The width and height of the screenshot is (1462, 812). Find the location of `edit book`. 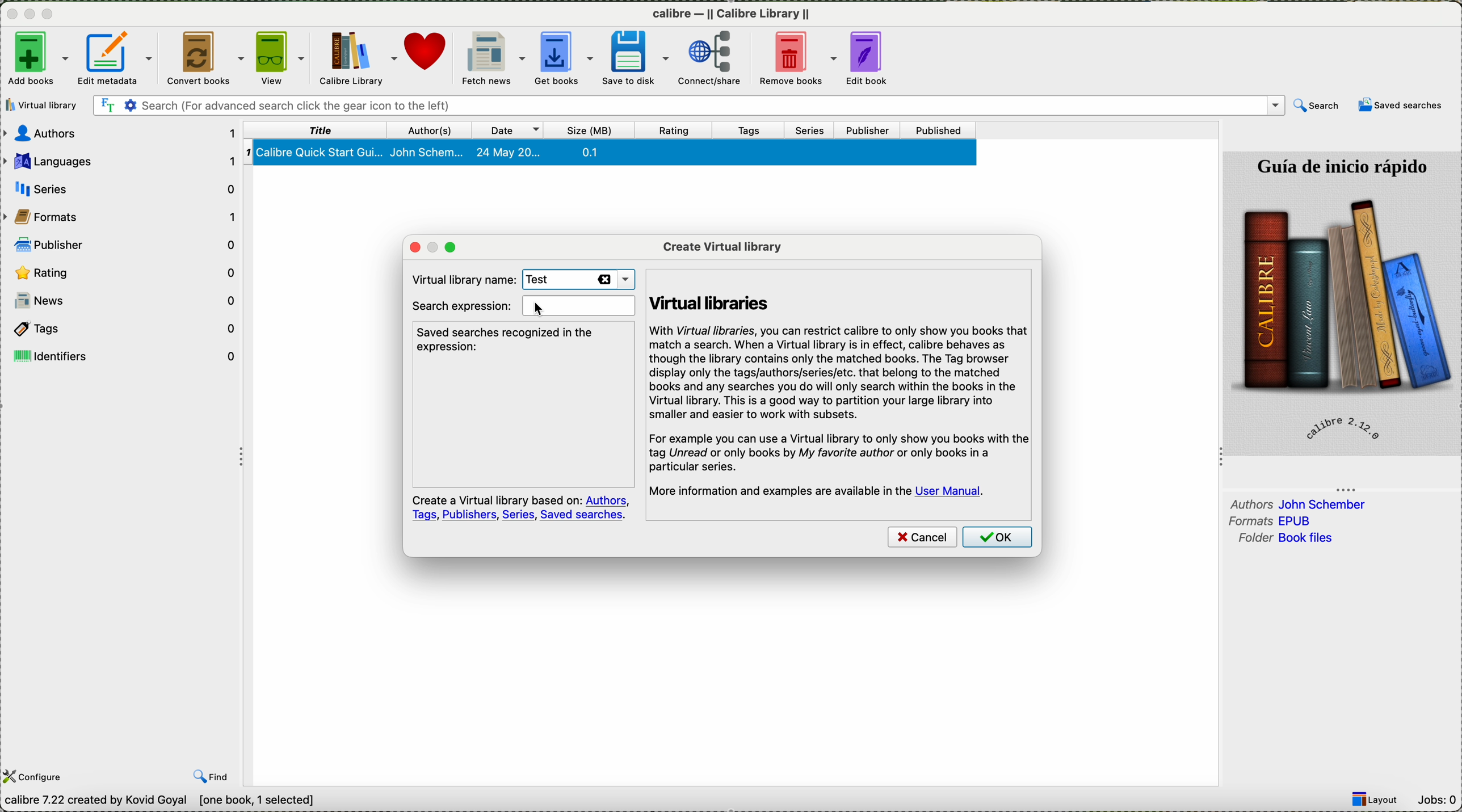

edit book is located at coordinates (873, 58).